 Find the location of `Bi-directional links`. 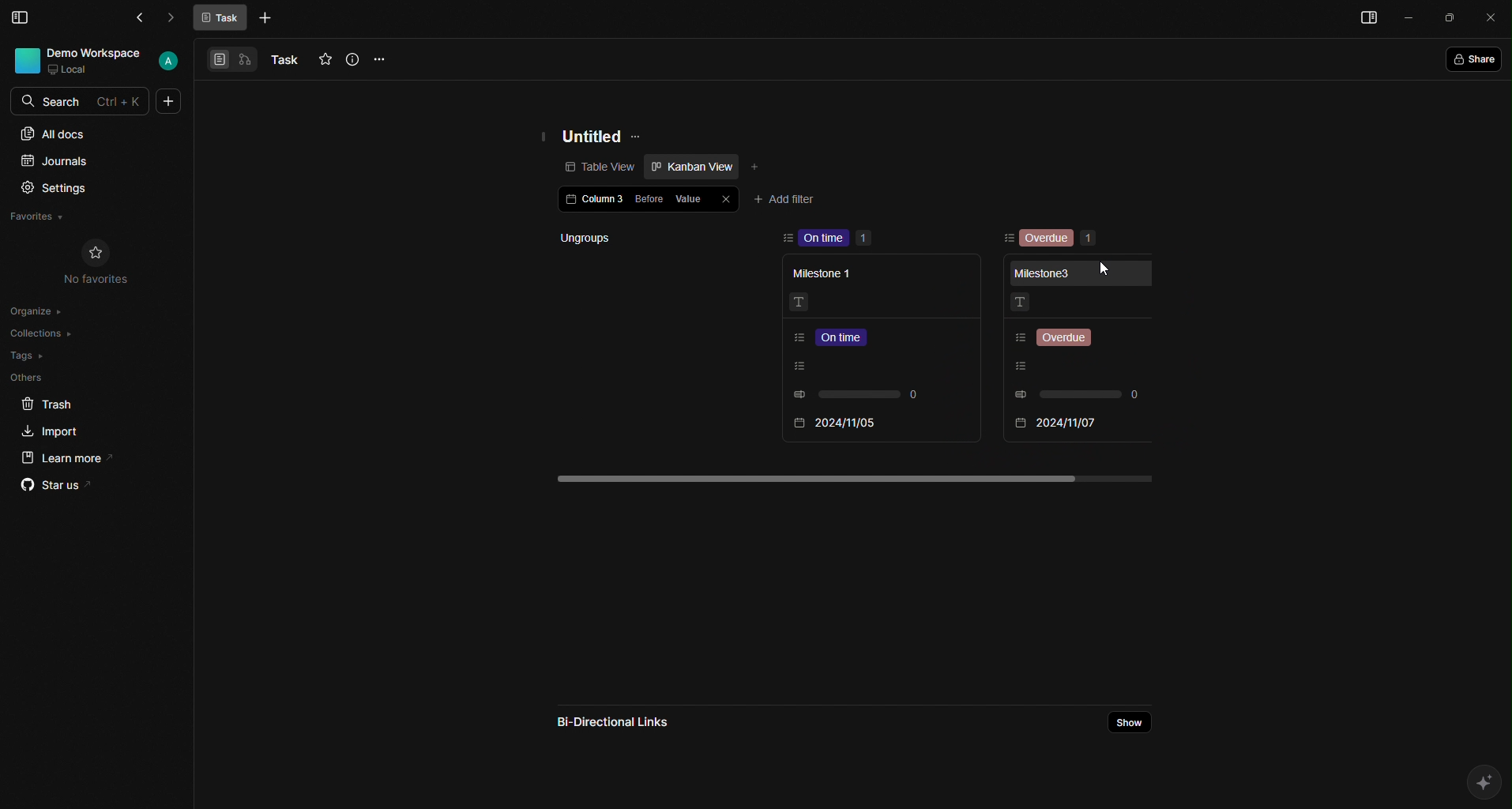

Bi-directional links is located at coordinates (615, 718).